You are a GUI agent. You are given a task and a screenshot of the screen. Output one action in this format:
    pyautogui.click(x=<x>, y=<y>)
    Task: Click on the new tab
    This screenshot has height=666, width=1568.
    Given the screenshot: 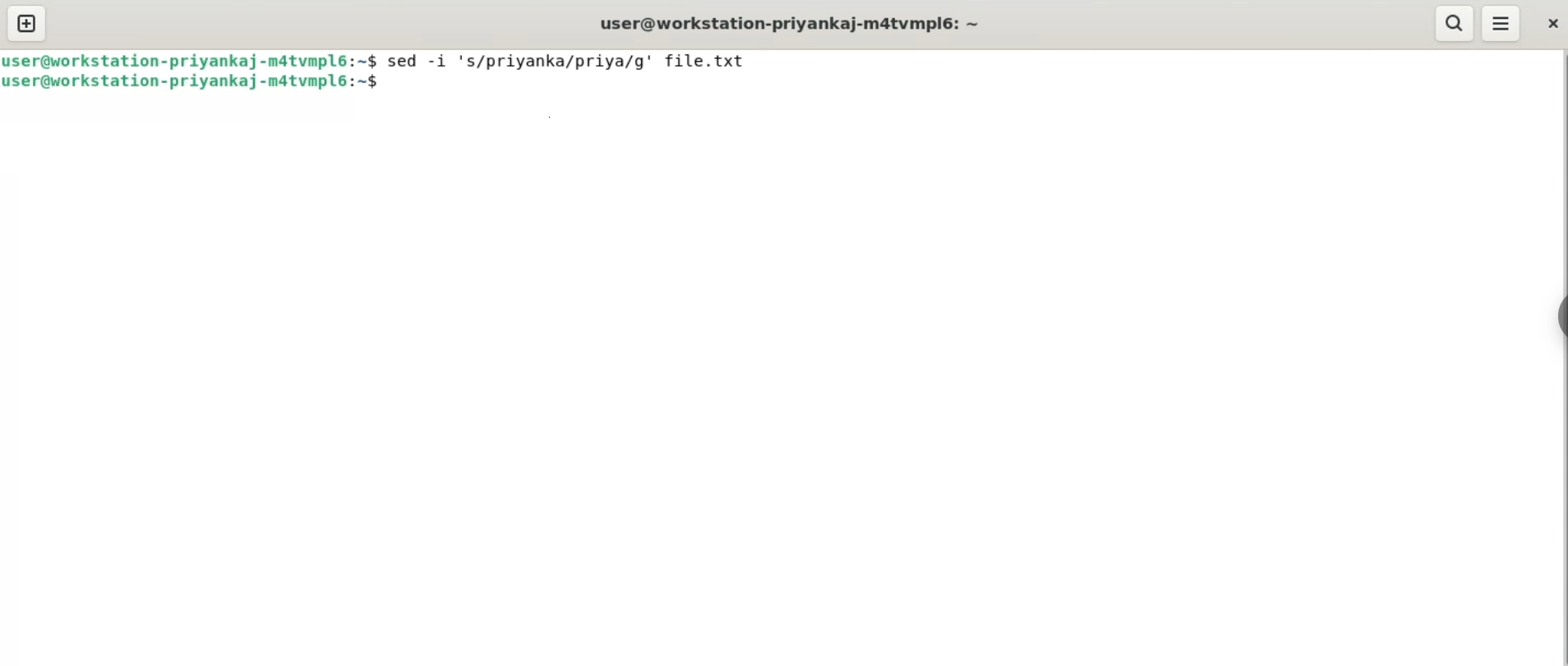 What is the action you would take?
    pyautogui.click(x=29, y=22)
    